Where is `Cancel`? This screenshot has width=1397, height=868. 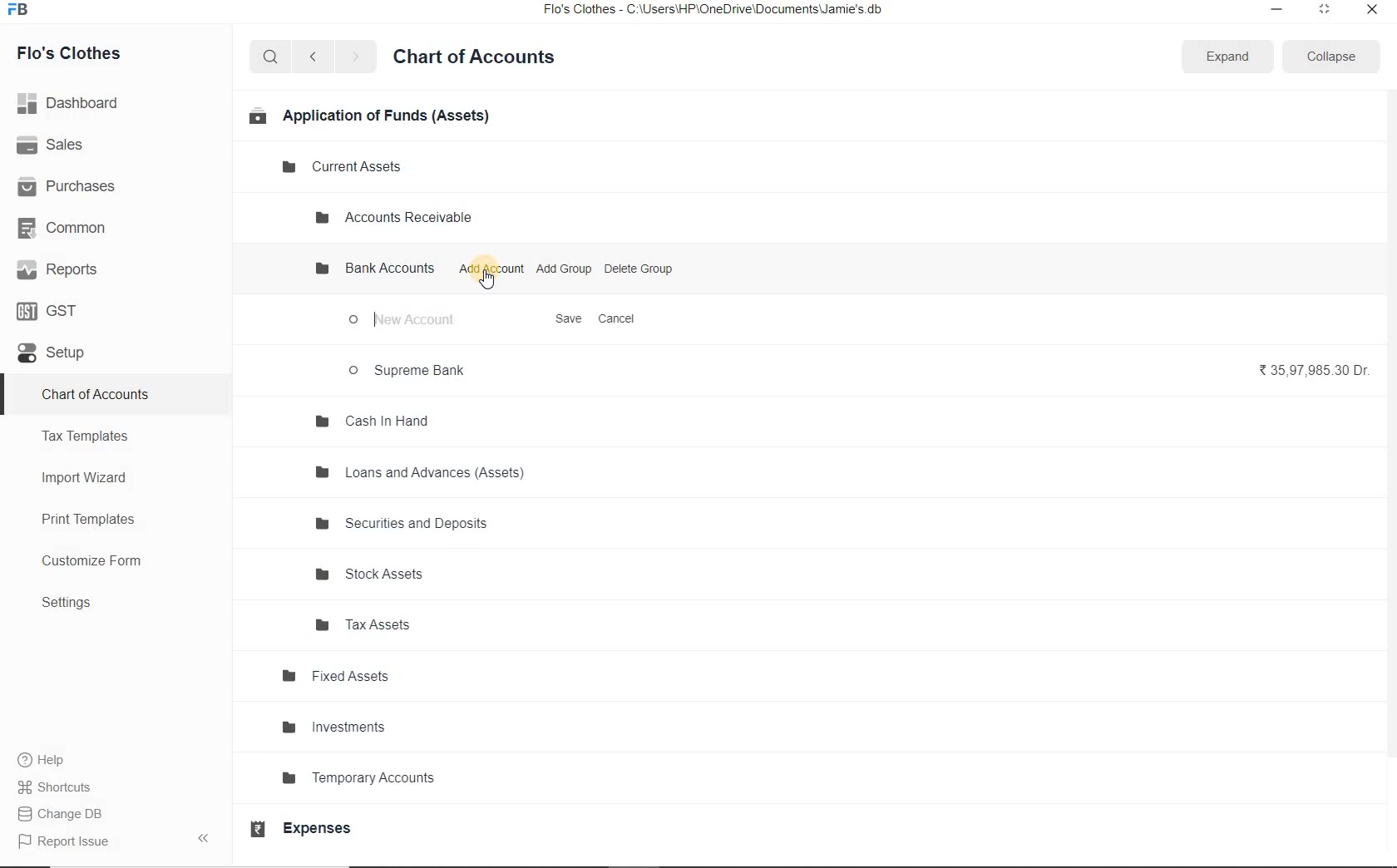 Cancel is located at coordinates (620, 320).